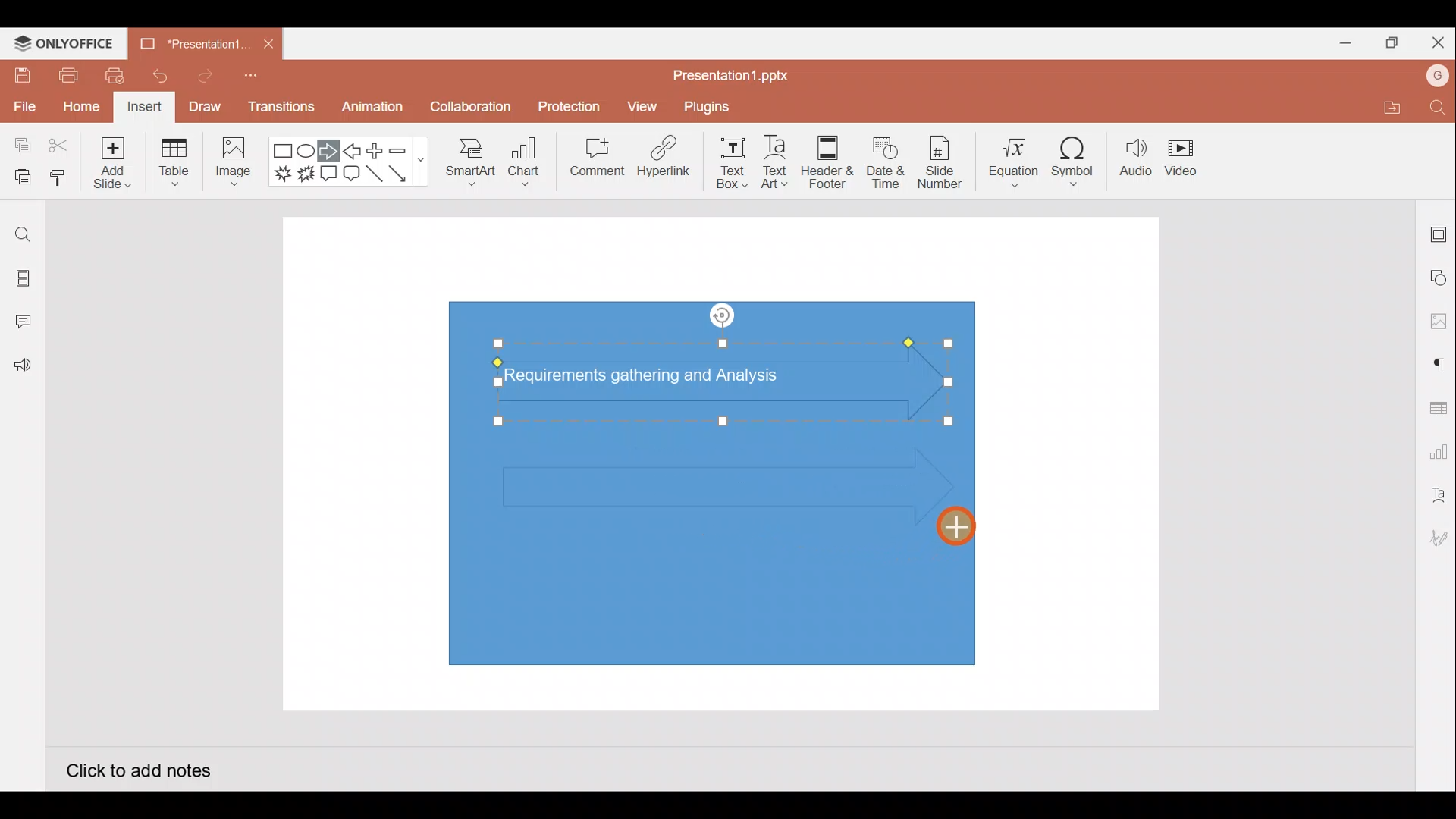 The image size is (1456, 819). What do you see at coordinates (308, 152) in the screenshot?
I see `Ellipse` at bounding box center [308, 152].